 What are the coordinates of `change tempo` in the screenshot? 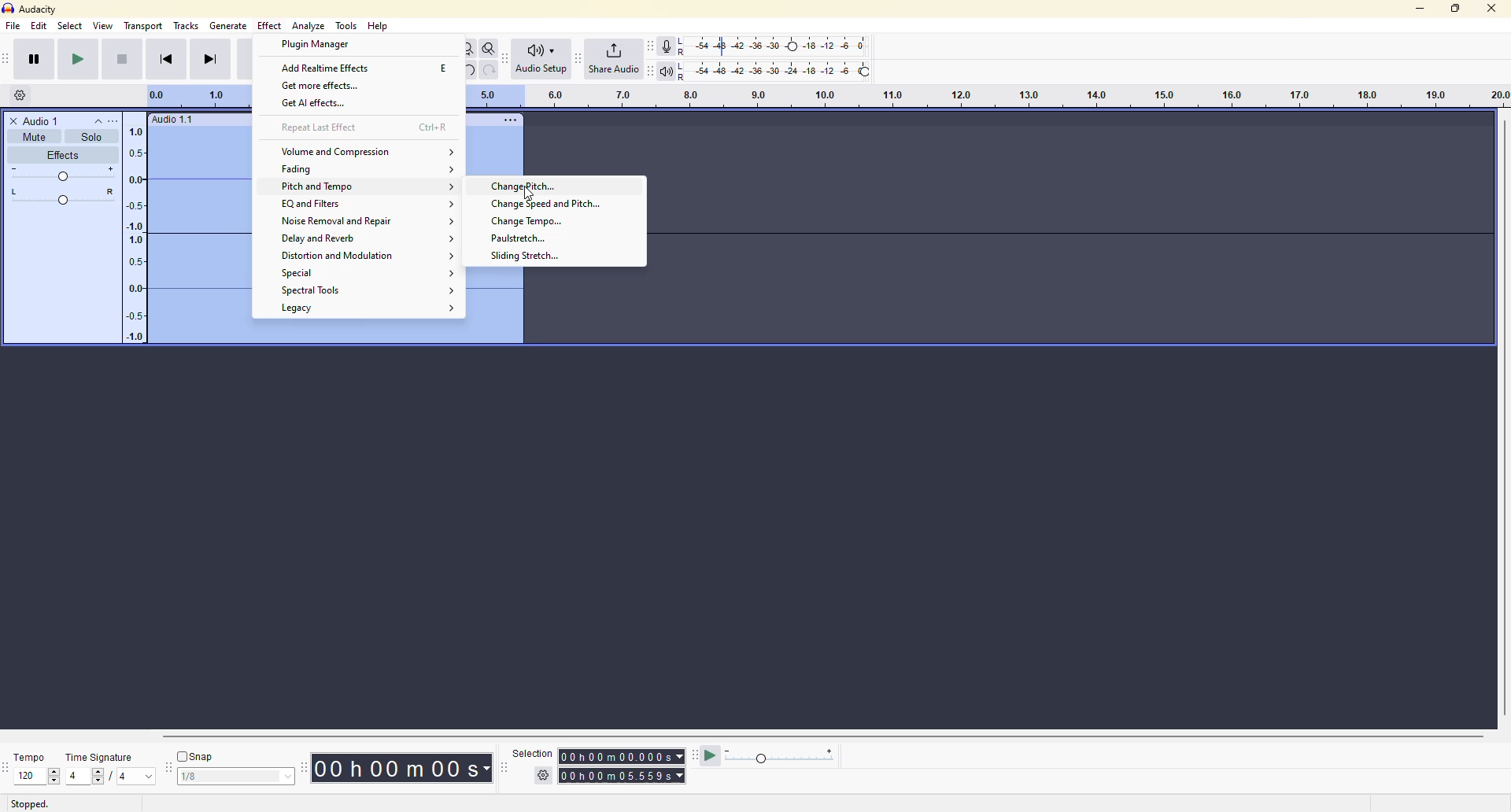 It's located at (535, 221).